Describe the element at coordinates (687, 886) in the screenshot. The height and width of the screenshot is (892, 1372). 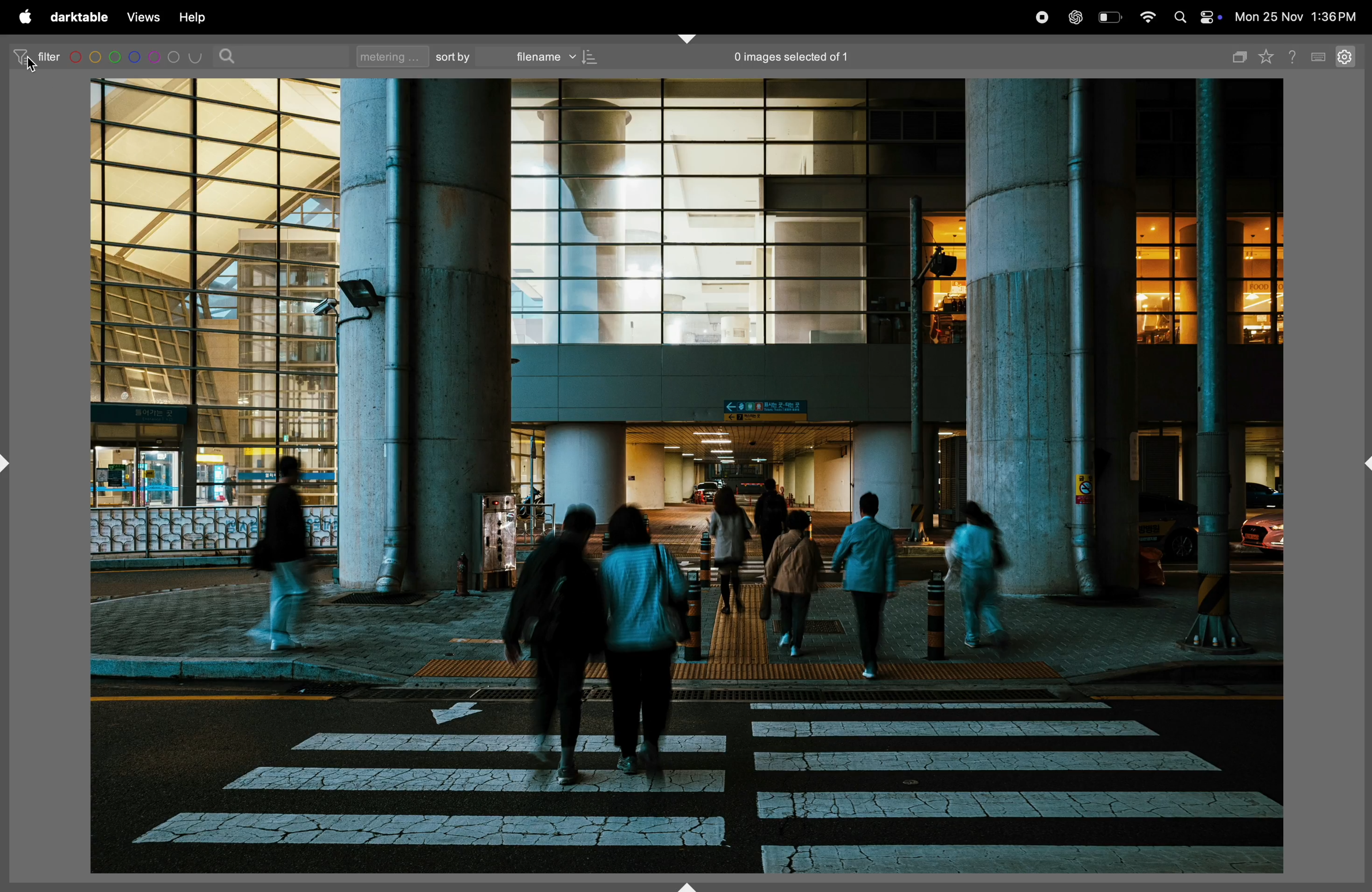
I see `shift+ctrl+b` at that location.